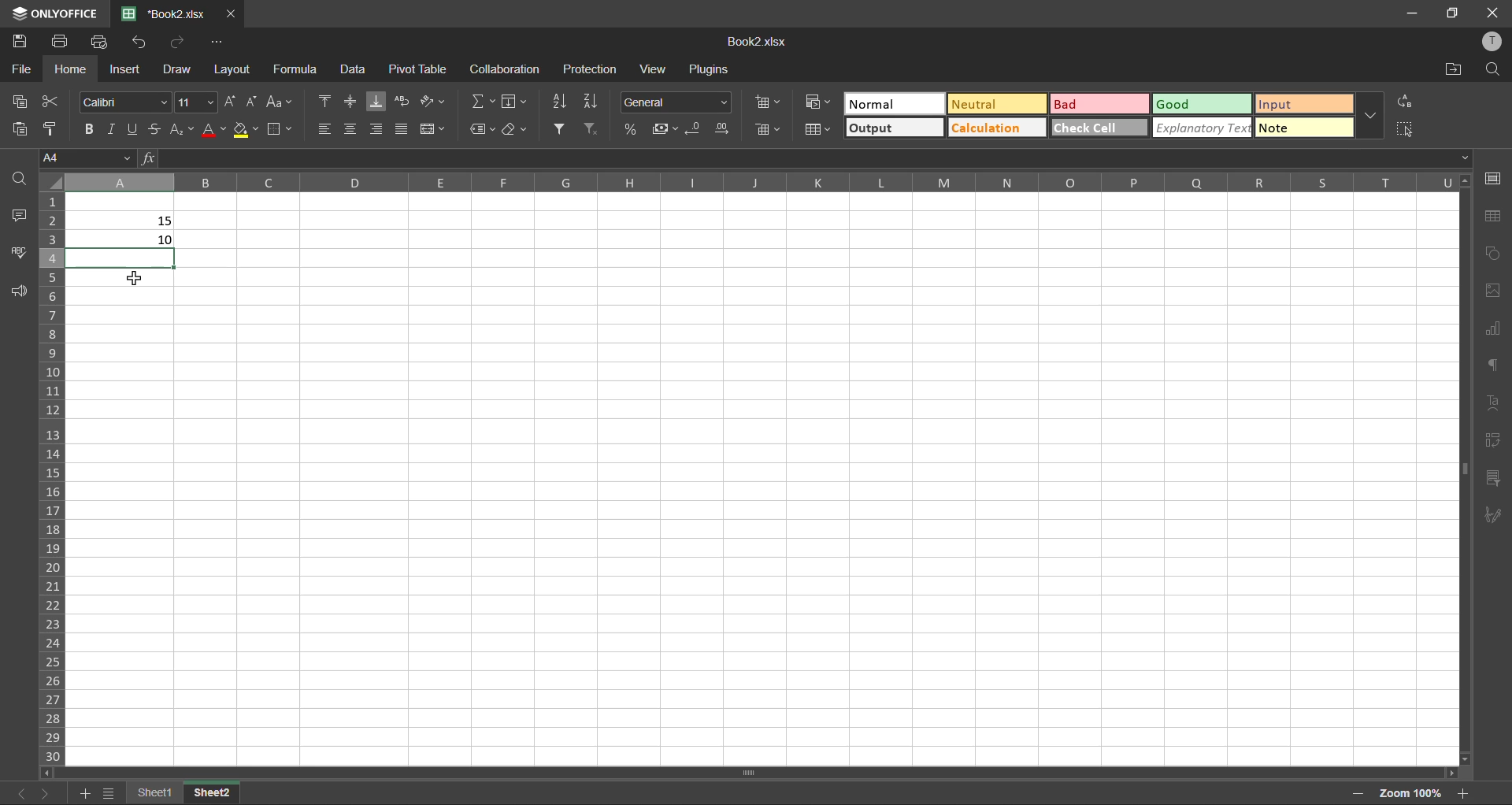  I want to click on add sheet, so click(82, 792).